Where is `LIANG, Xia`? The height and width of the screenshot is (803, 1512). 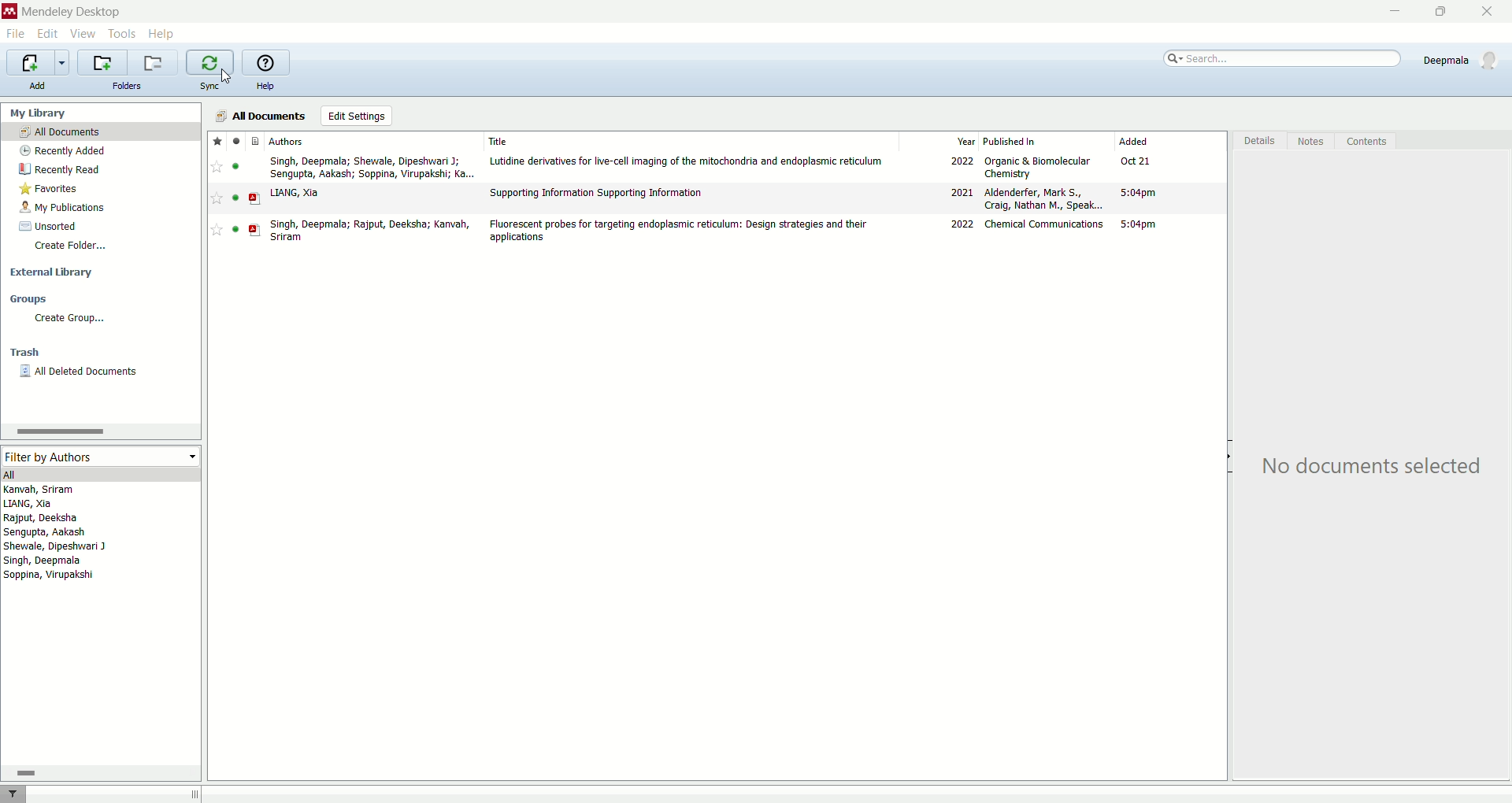
LIANG, Xia is located at coordinates (298, 194).